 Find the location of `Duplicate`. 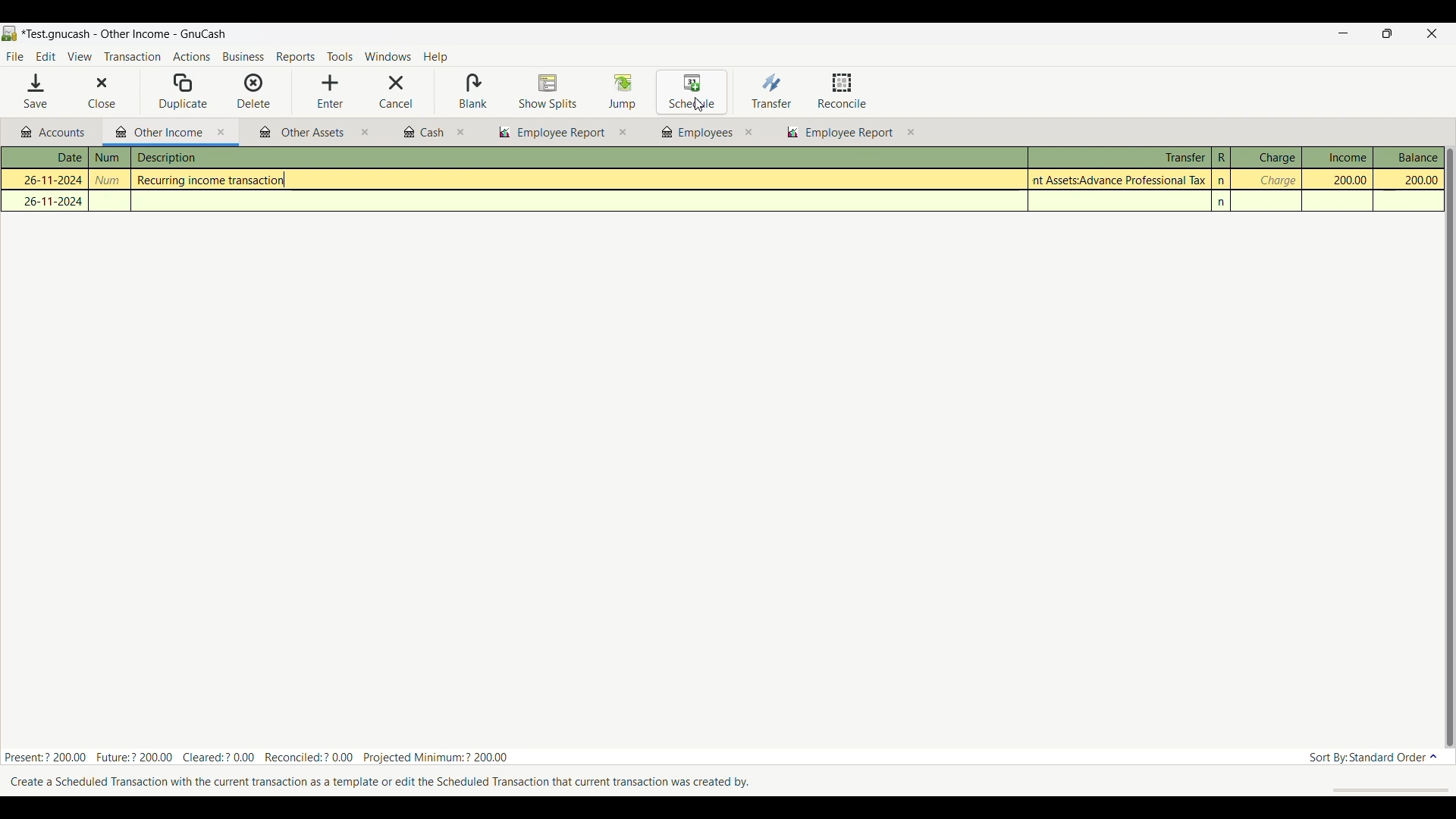

Duplicate is located at coordinates (184, 92).